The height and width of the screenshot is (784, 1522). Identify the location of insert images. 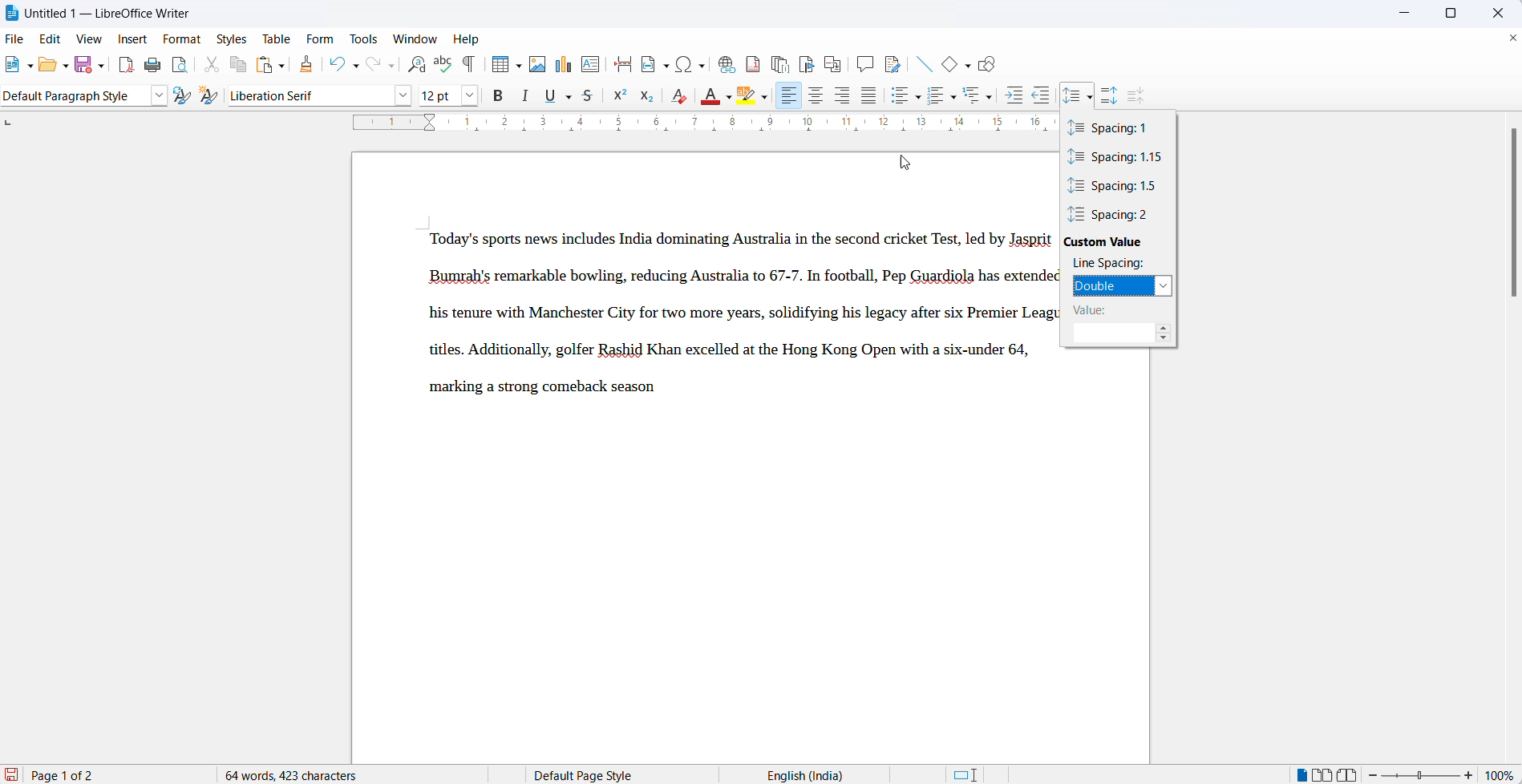
(540, 65).